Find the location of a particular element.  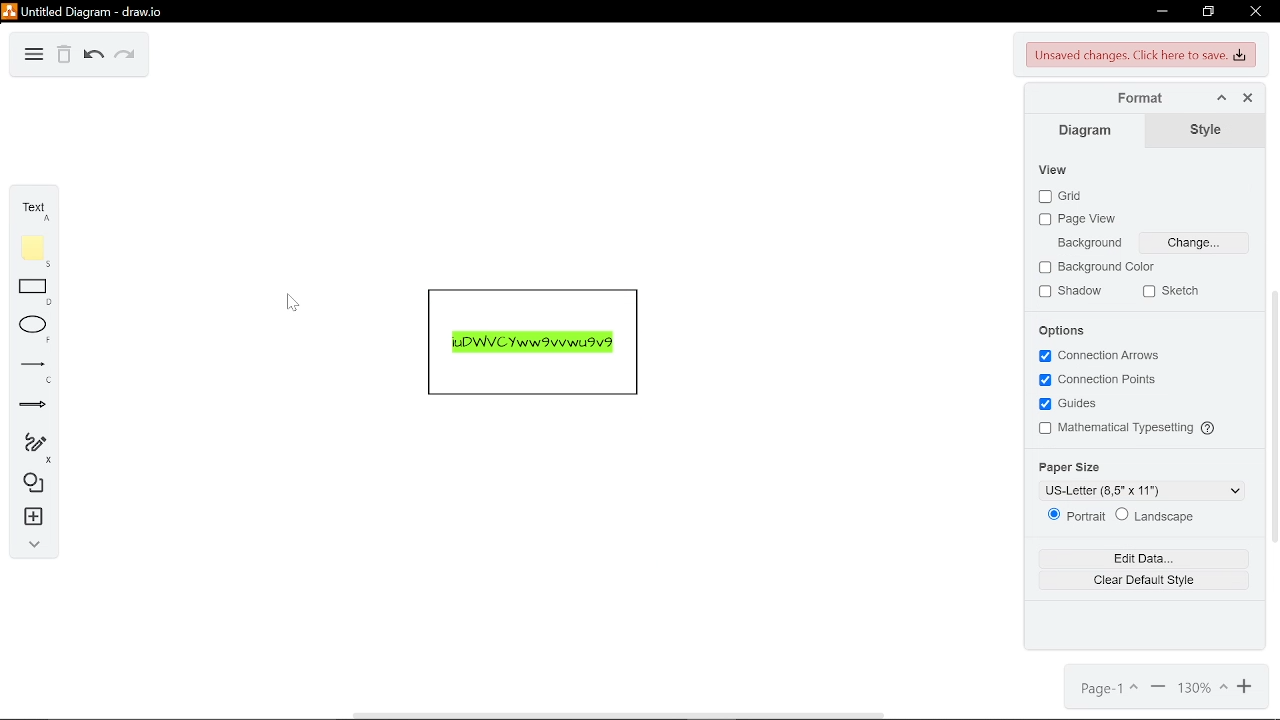

diagram is located at coordinates (1090, 131).